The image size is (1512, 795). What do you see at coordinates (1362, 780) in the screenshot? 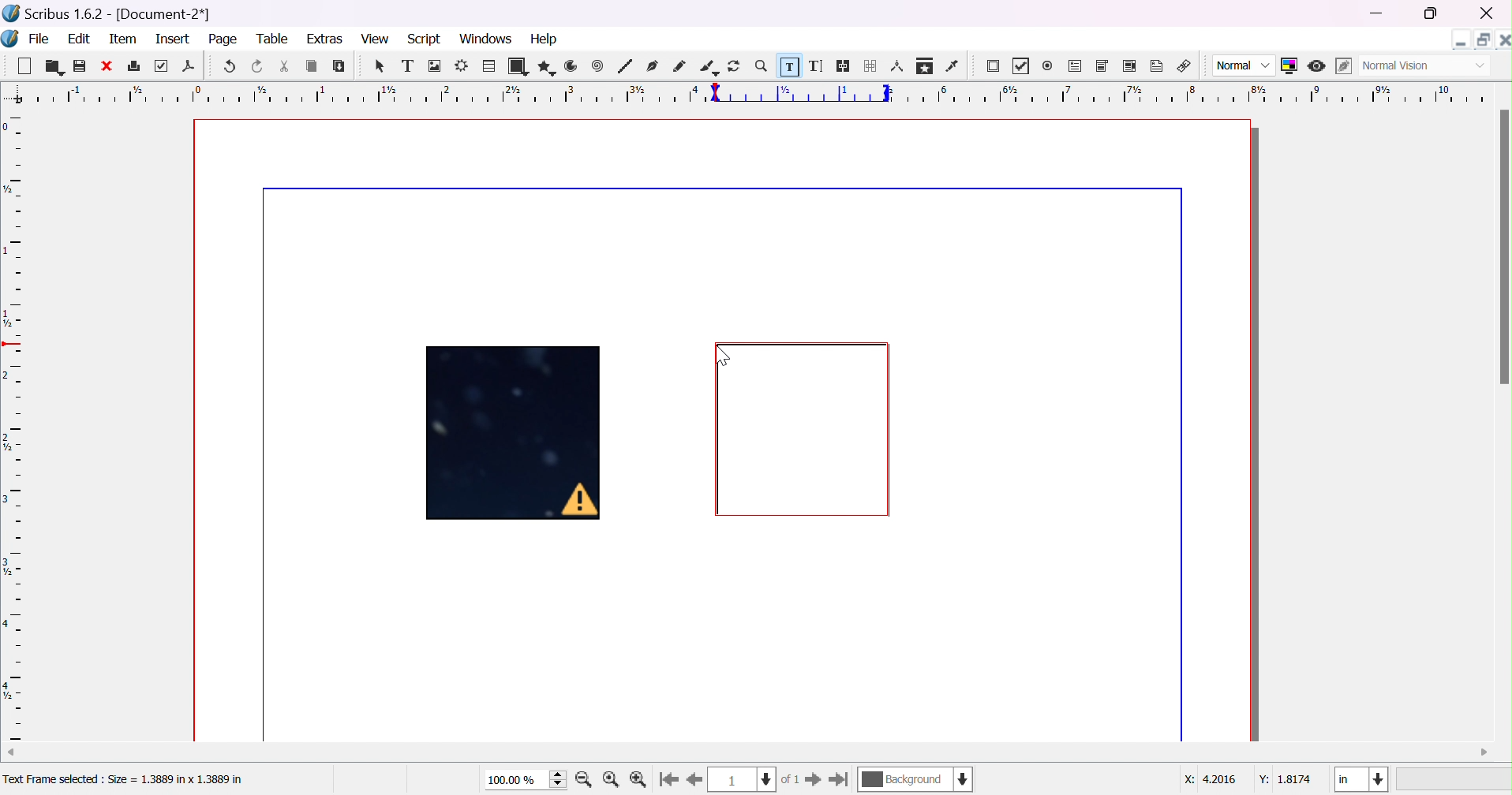
I see `in` at bounding box center [1362, 780].